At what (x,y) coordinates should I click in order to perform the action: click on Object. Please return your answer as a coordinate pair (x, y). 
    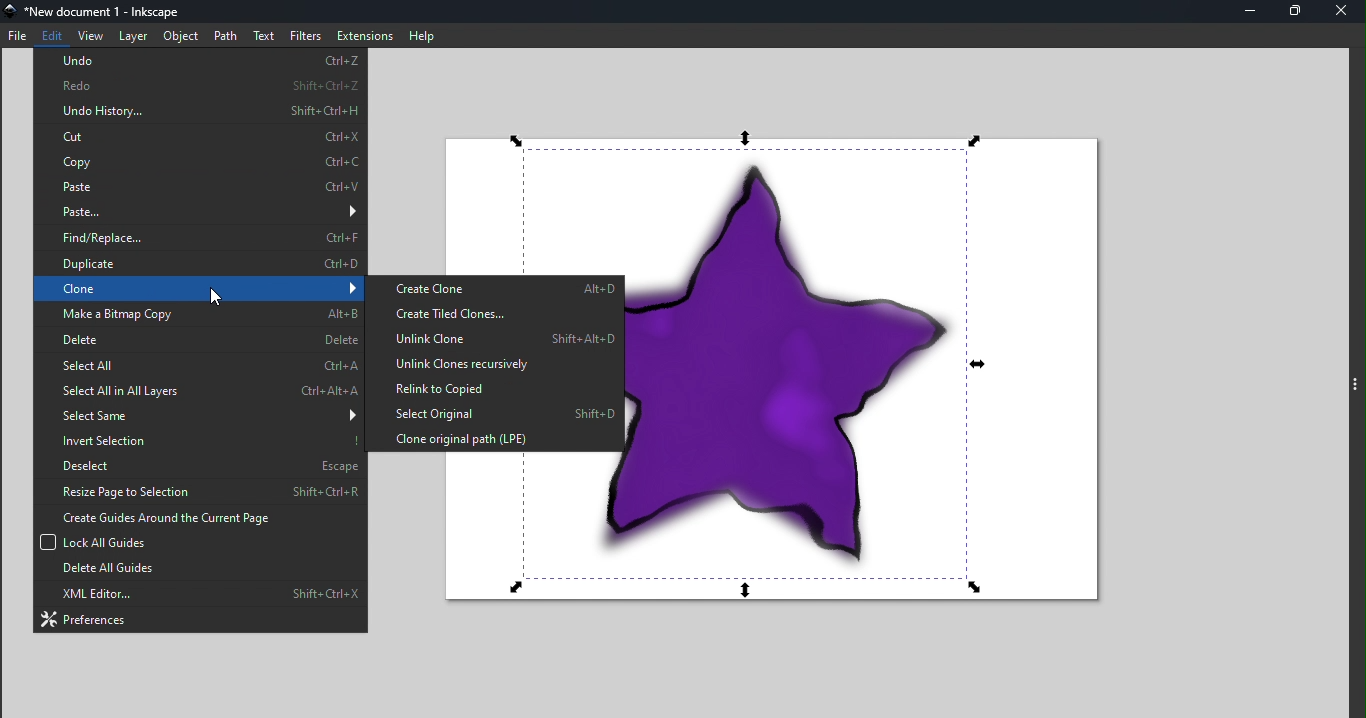
    Looking at the image, I should click on (180, 36).